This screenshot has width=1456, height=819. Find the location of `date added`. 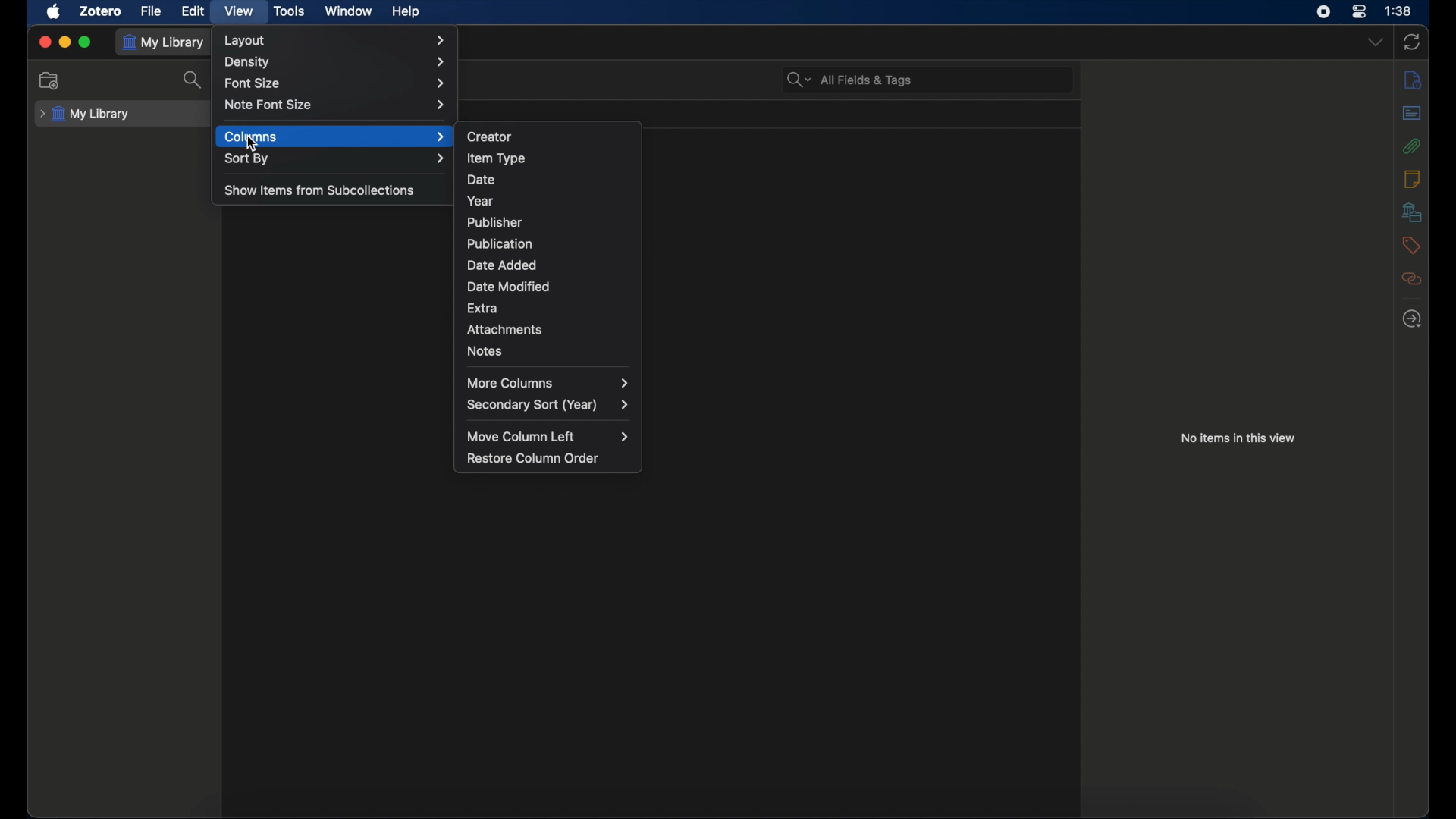

date added is located at coordinates (500, 265).